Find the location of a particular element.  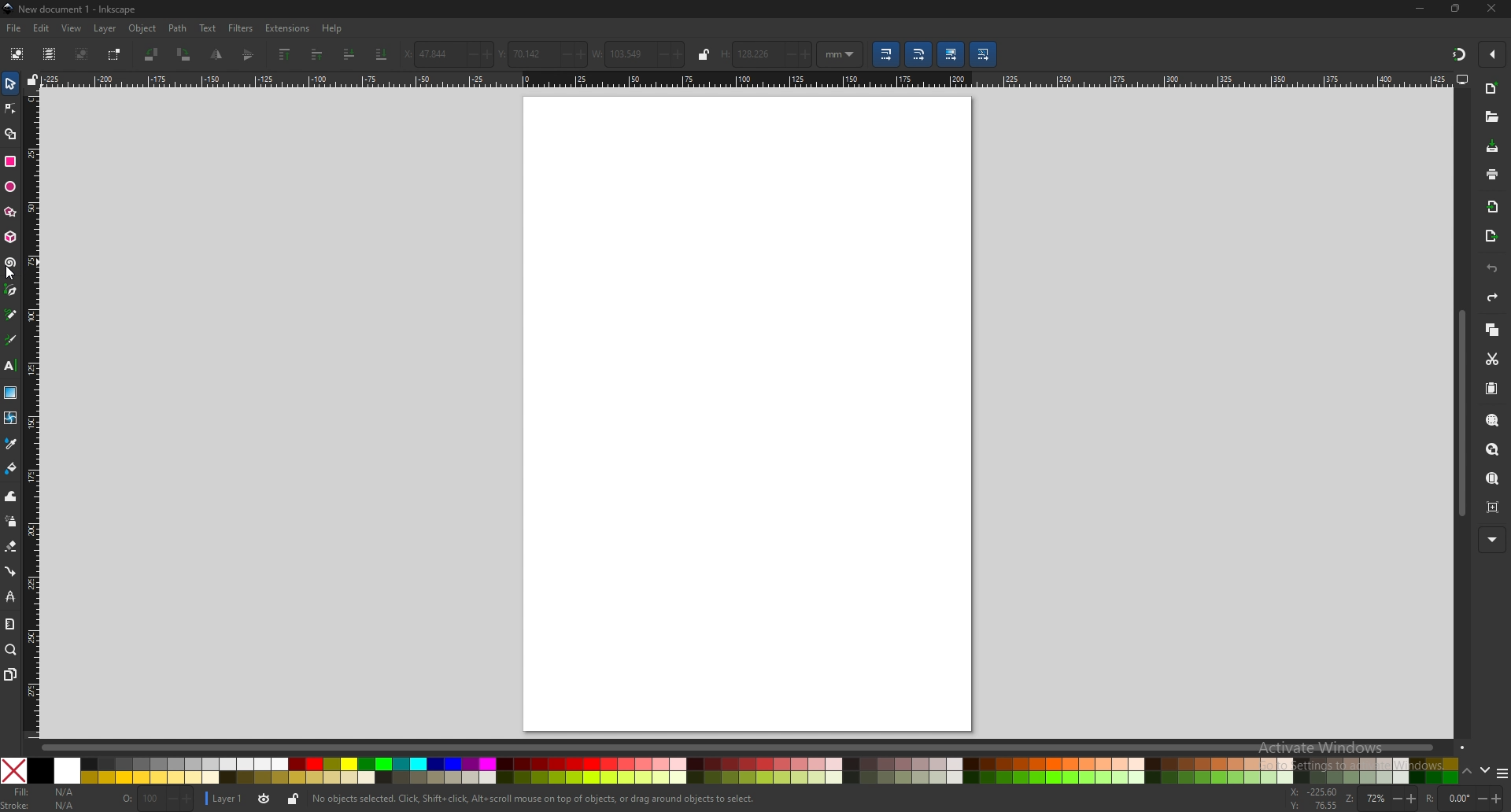

zoom centre page is located at coordinates (1493, 507).